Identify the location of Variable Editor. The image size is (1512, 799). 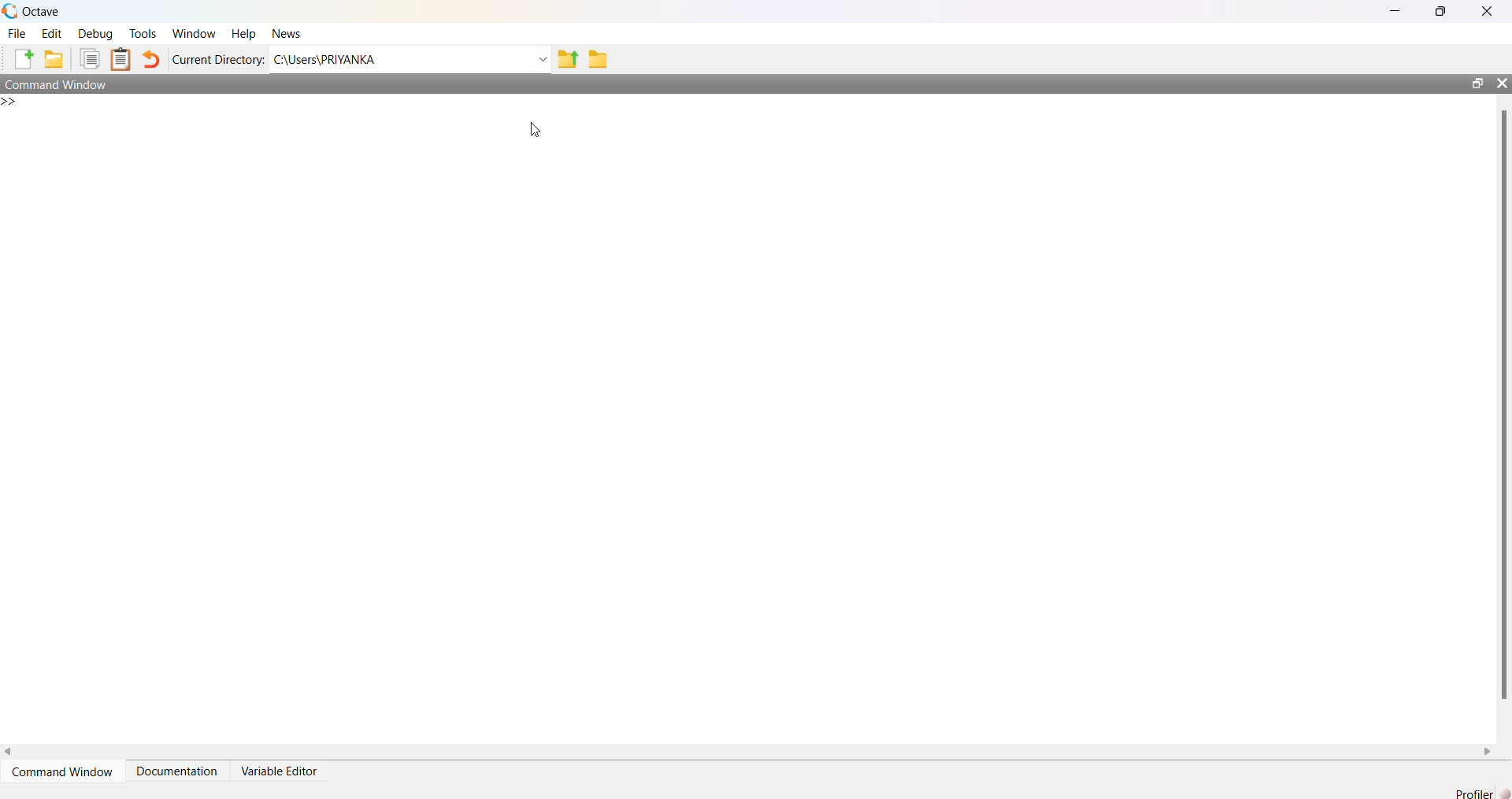
(278, 766).